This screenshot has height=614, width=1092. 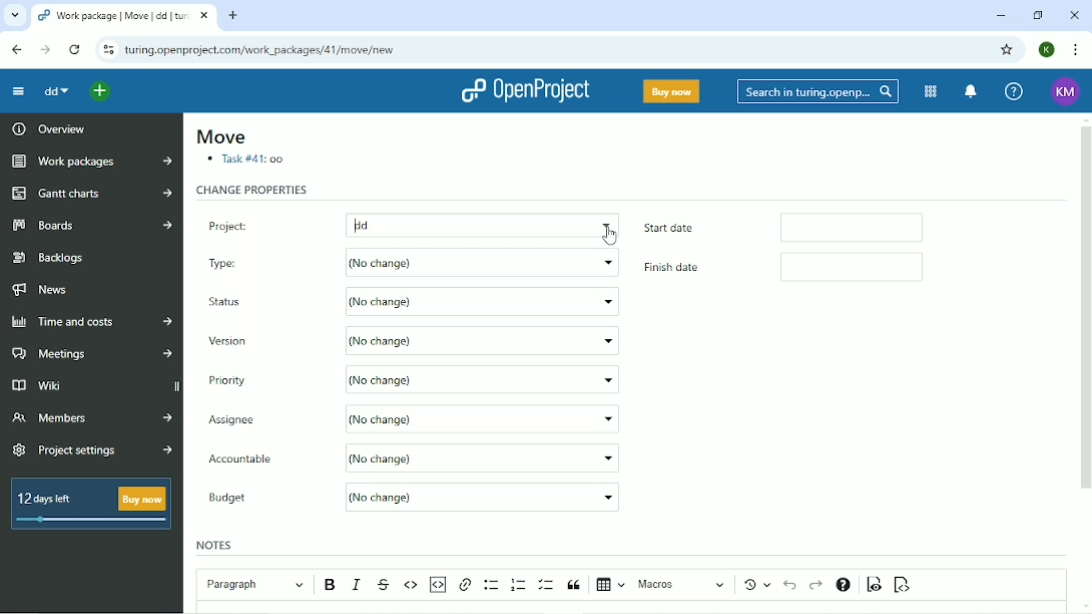 I want to click on Switch to markdown source, so click(x=901, y=585).